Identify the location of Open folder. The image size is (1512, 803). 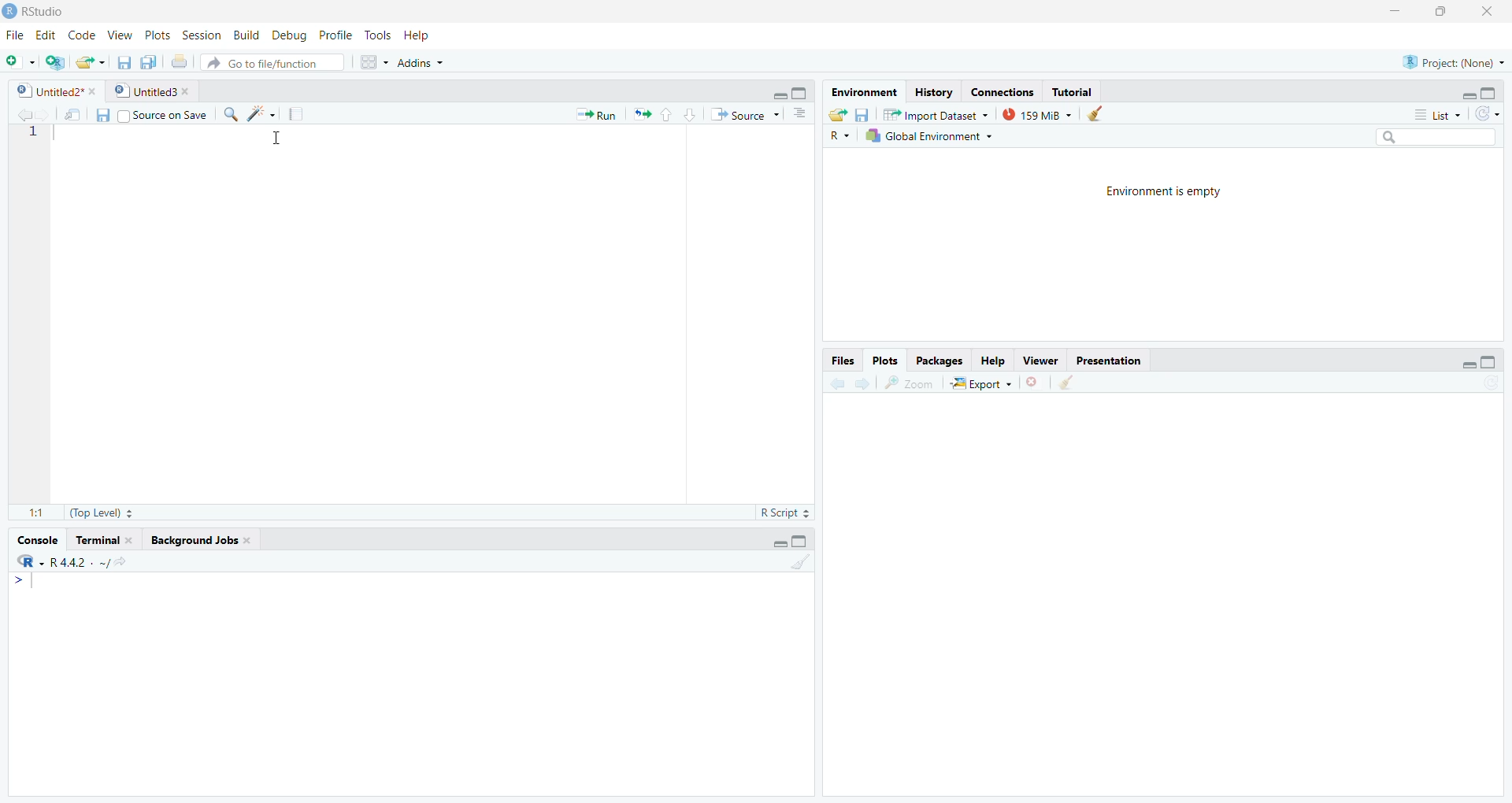
(836, 115).